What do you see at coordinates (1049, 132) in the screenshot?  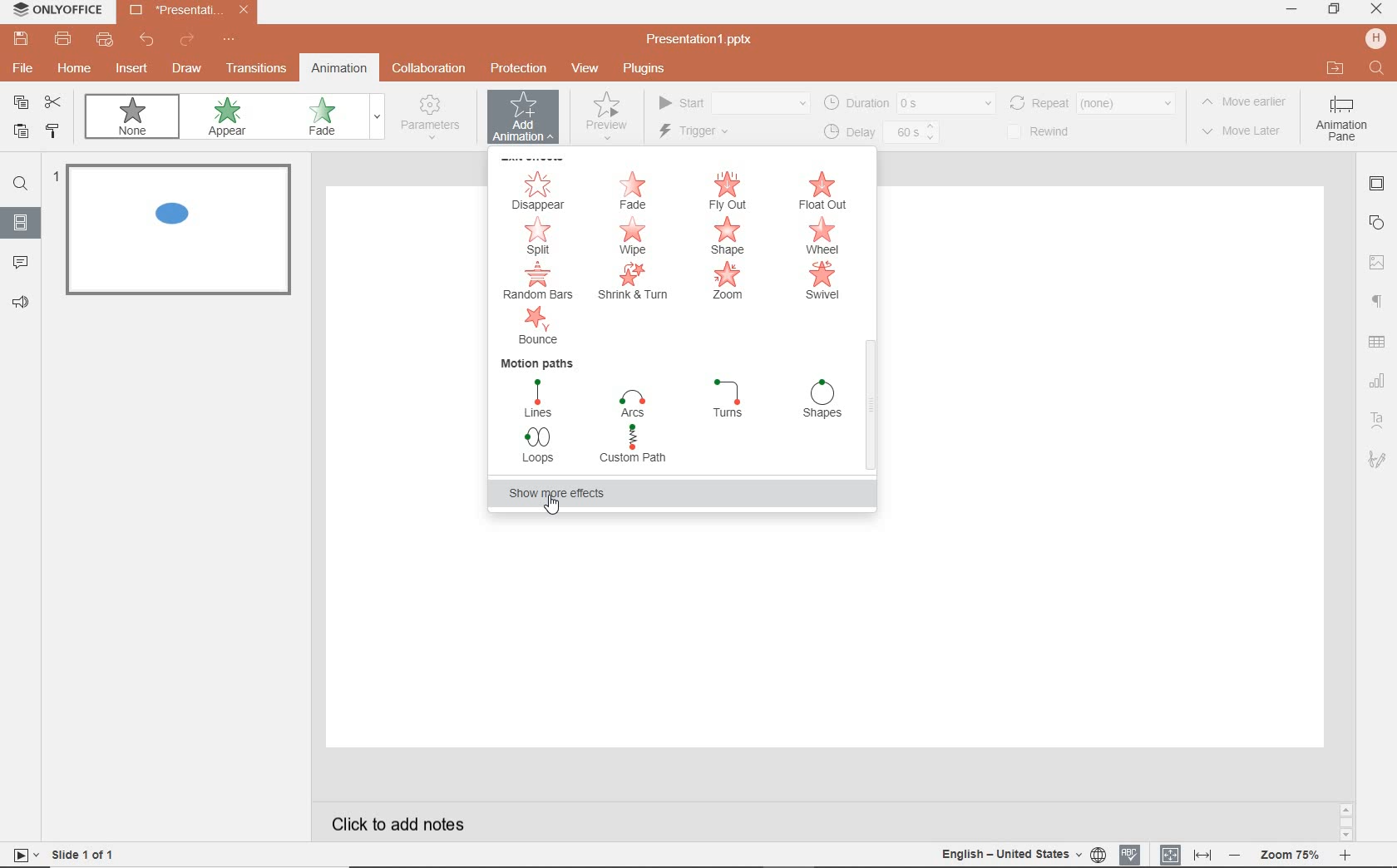 I see `rewind` at bounding box center [1049, 132].